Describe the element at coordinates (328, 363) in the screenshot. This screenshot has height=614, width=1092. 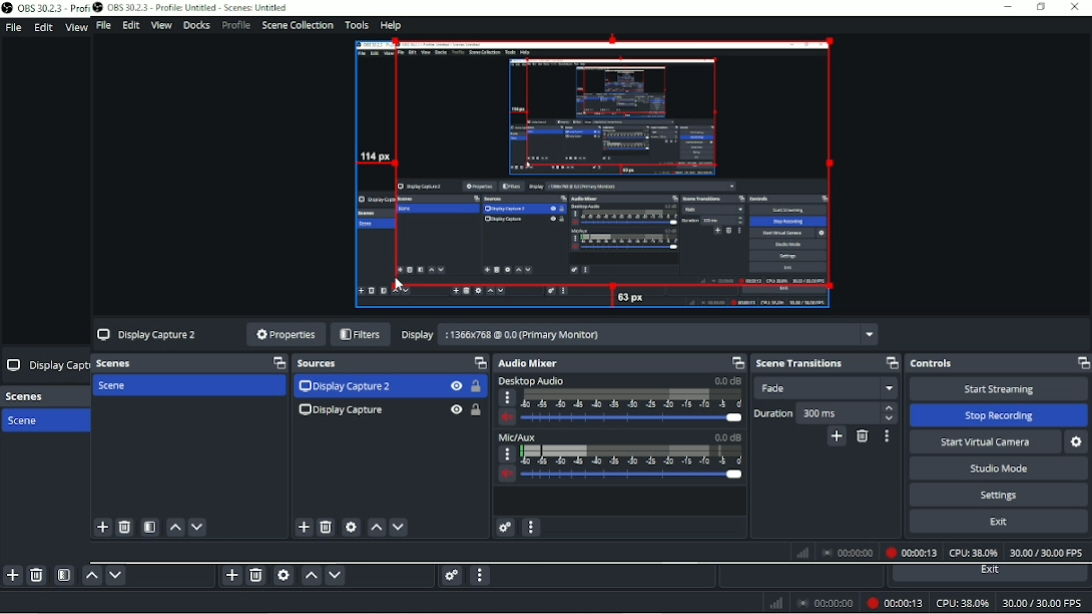
I see `Sources` at that location.